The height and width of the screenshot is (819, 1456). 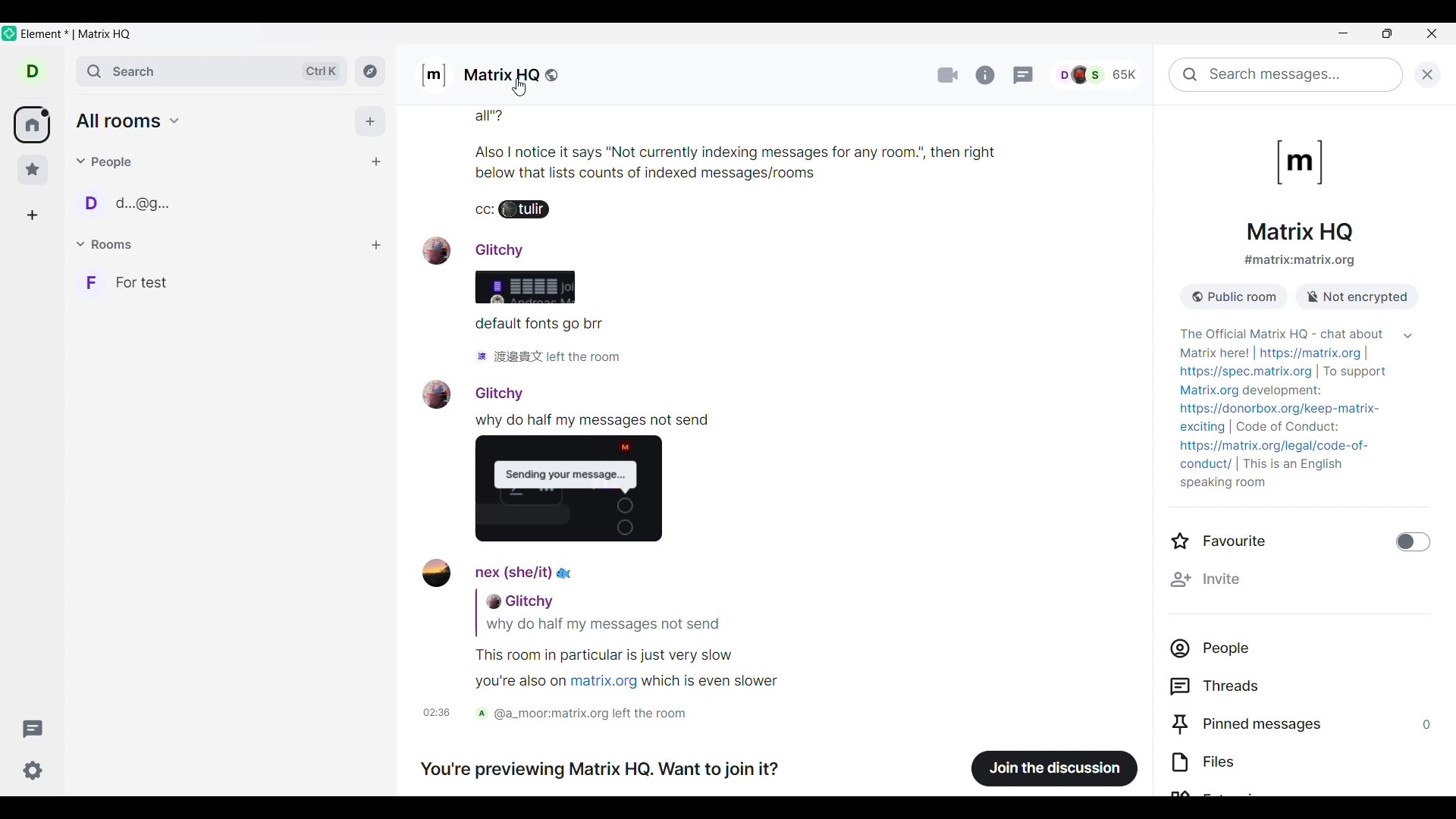 What do you see at coordinates (346, 246) in the screenshot?
I see `list optins` at bounding box center [346, 246].